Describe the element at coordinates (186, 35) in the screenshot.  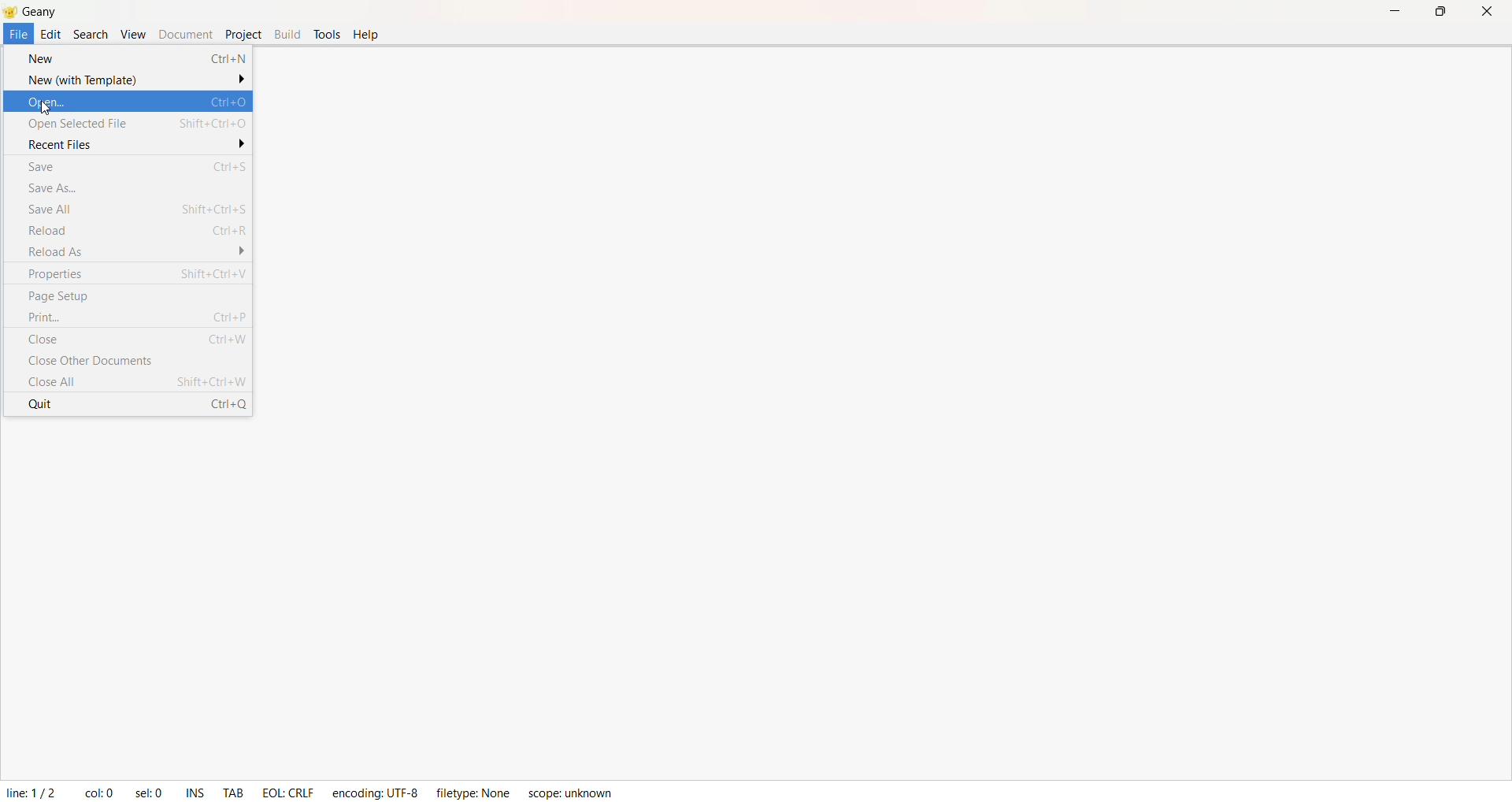
I see `Document` at that location.